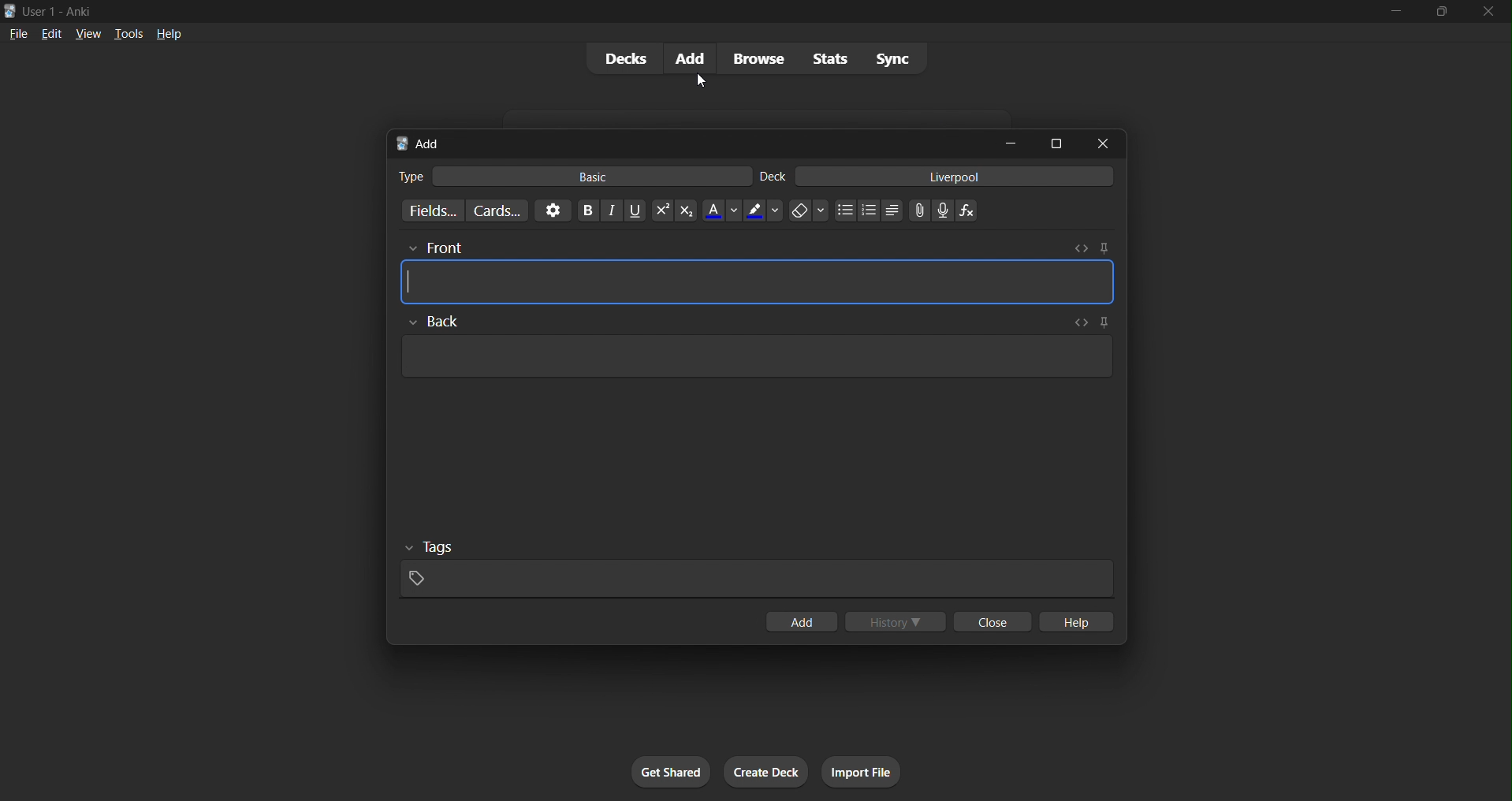 The image size is (1512, 801). I want to click on add title bar, so click(680, 141).